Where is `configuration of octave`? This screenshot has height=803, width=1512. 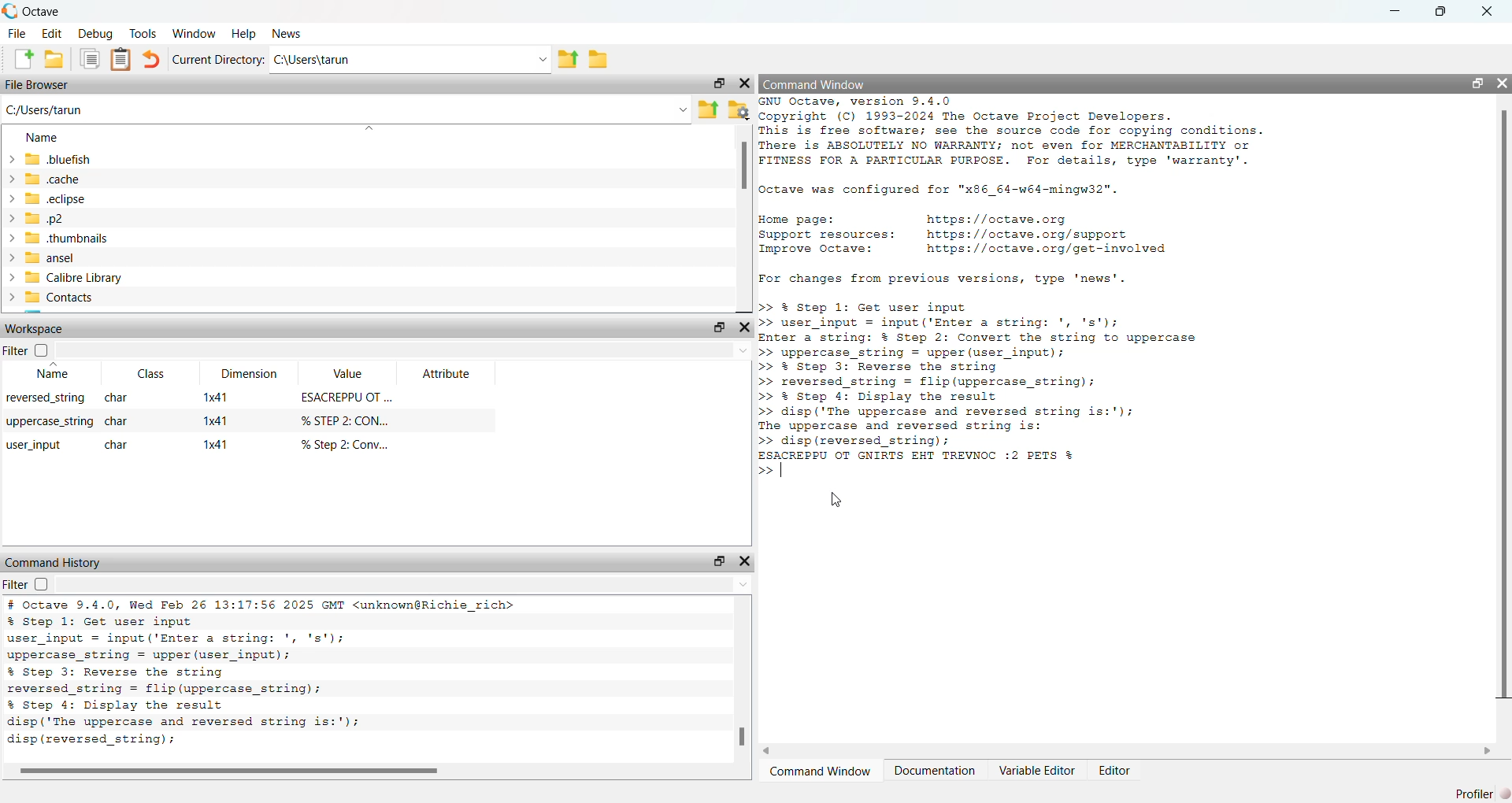
configuration of octave is located at coordinates (939, 191).